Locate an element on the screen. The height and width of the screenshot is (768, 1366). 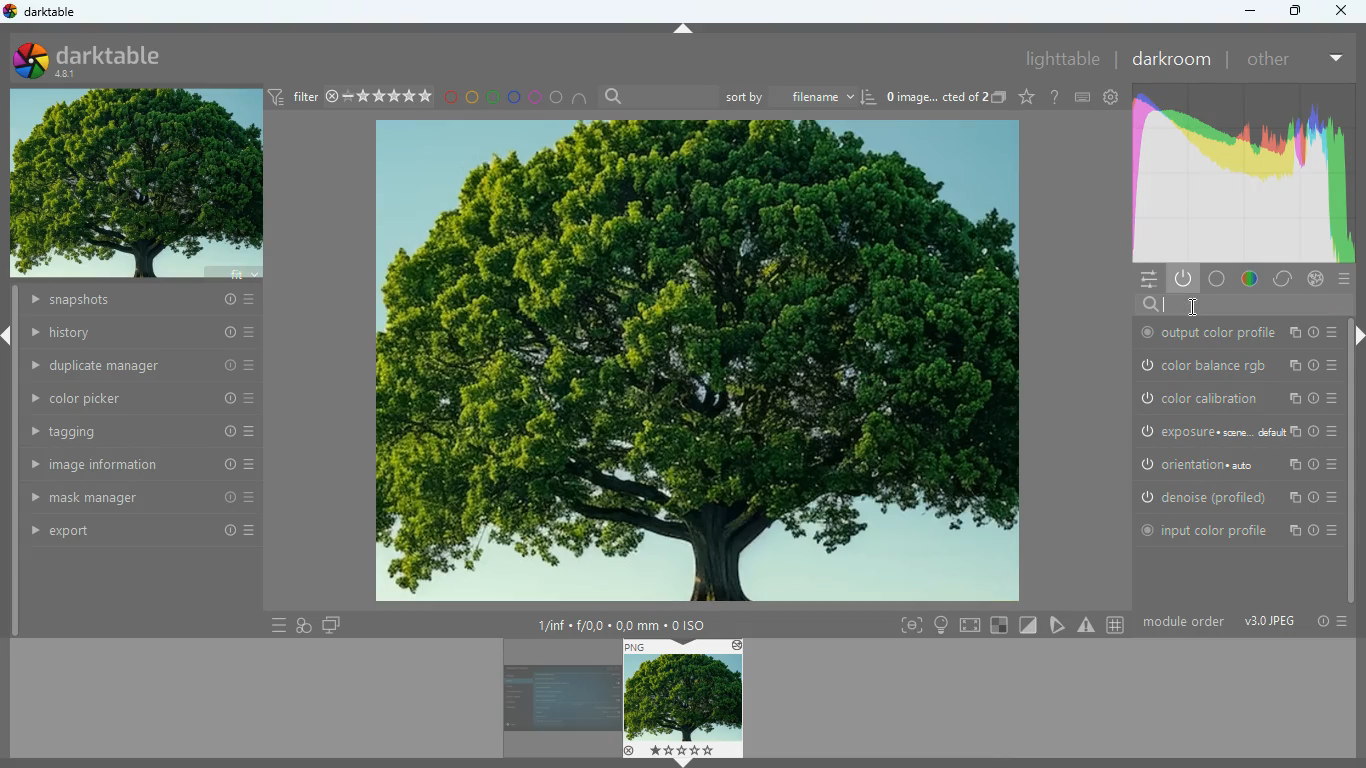
denoise is located at coordinates (1235, 496).